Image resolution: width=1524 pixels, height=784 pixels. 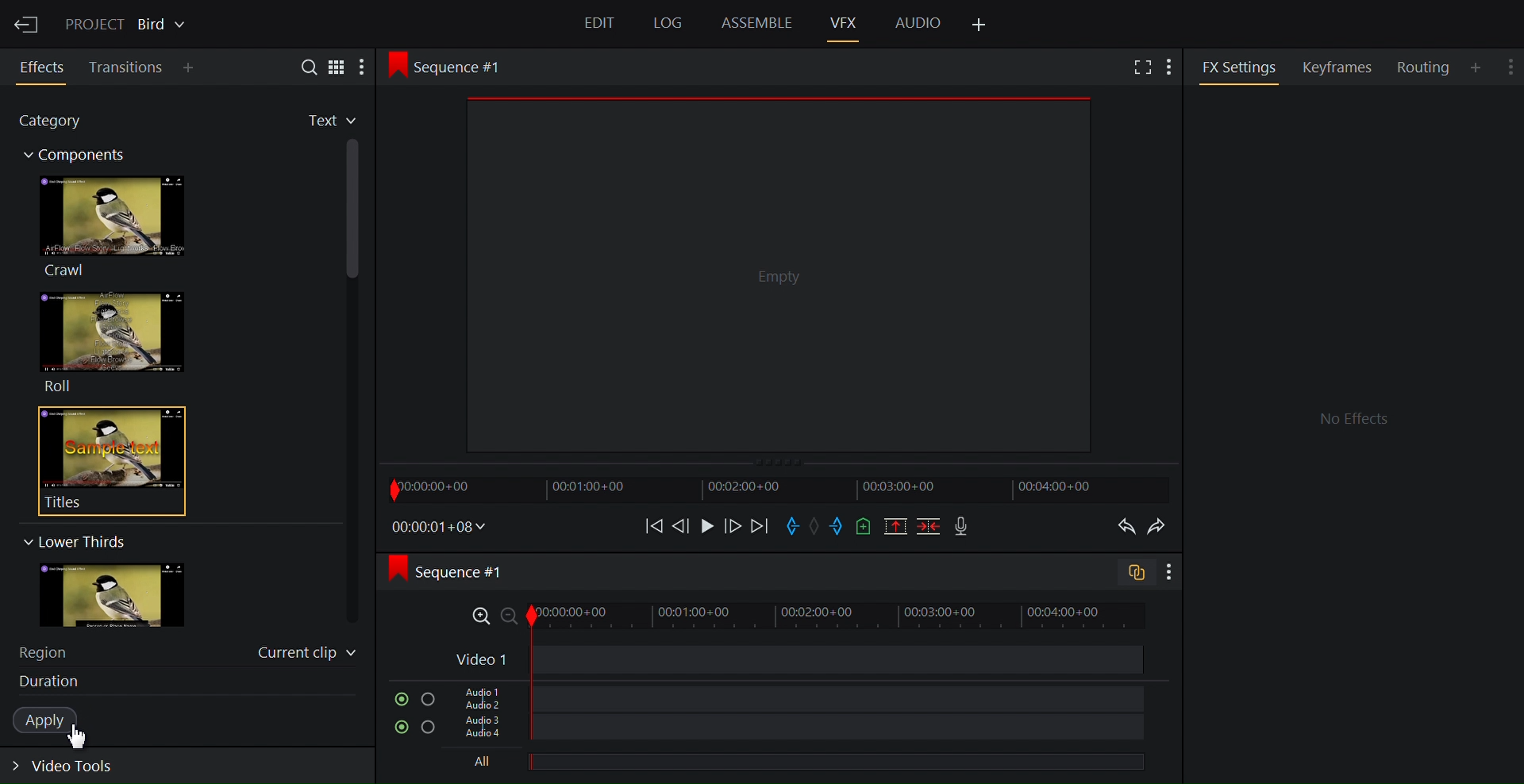 I want to click on Keyframes, so click(x=1344, y=67).